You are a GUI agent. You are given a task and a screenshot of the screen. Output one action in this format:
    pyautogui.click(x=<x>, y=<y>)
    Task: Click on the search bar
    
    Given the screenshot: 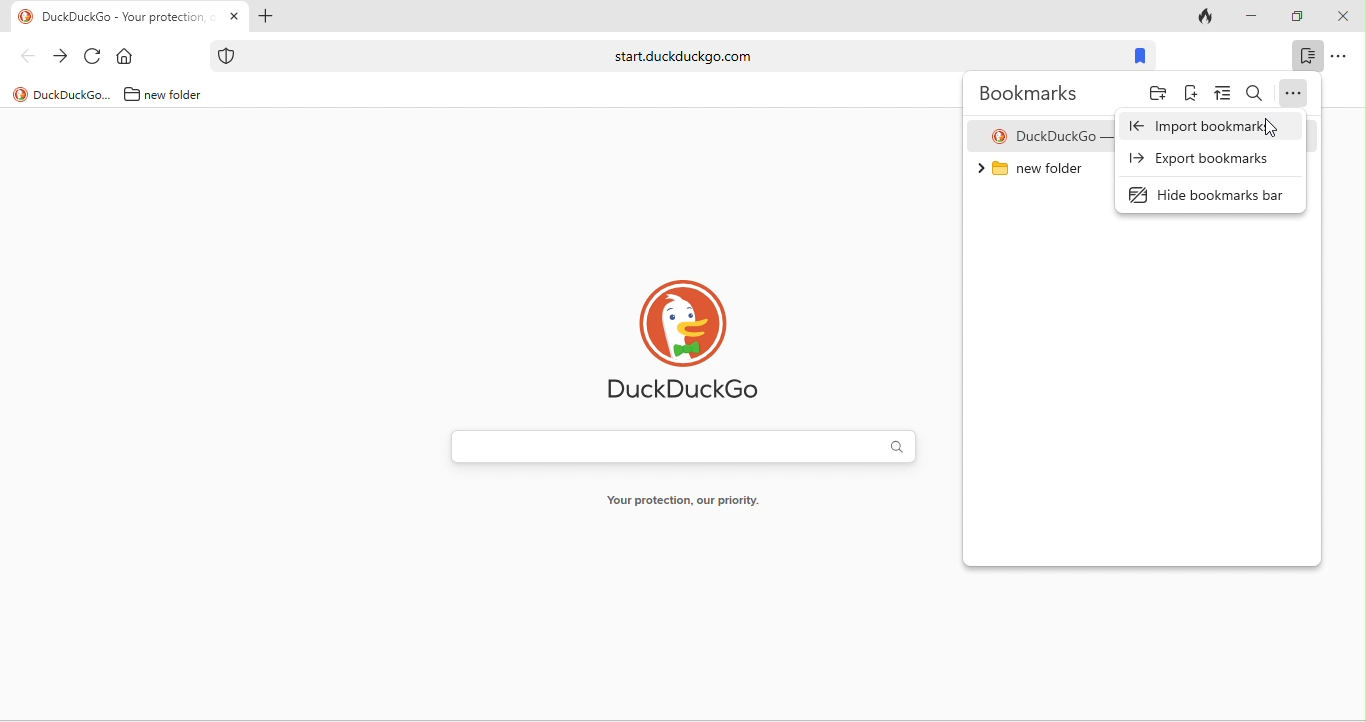 What is the action you would take?
    pyautogui.click(x=683, y=449)
    